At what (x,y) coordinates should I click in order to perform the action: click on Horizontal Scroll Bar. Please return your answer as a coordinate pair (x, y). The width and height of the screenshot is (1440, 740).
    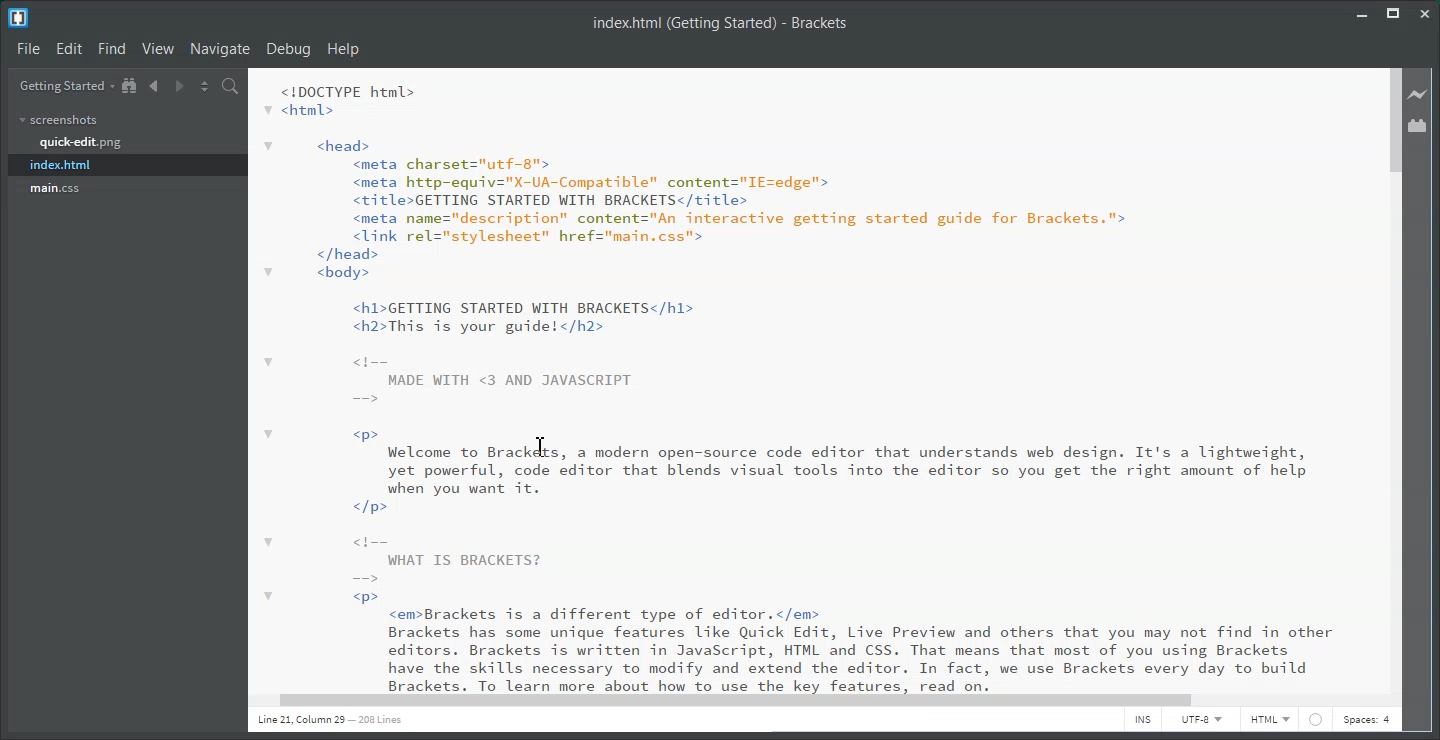
    Looking at the image, I should click on (811, 700).